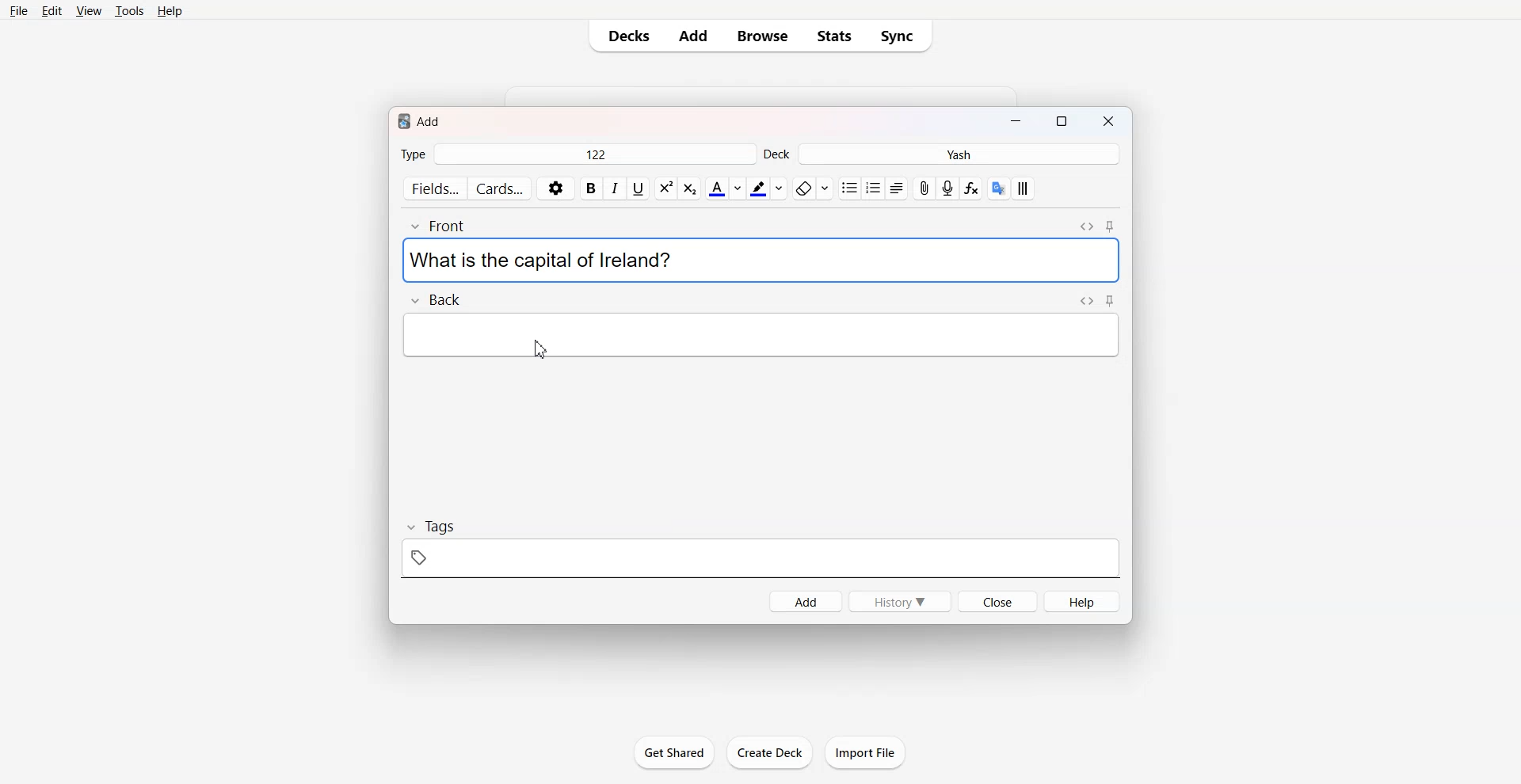 This screenshot has width=1521, height=784. Describe the element at coordinates (1082, 601) in the screenshot. I see `Help` at that location.